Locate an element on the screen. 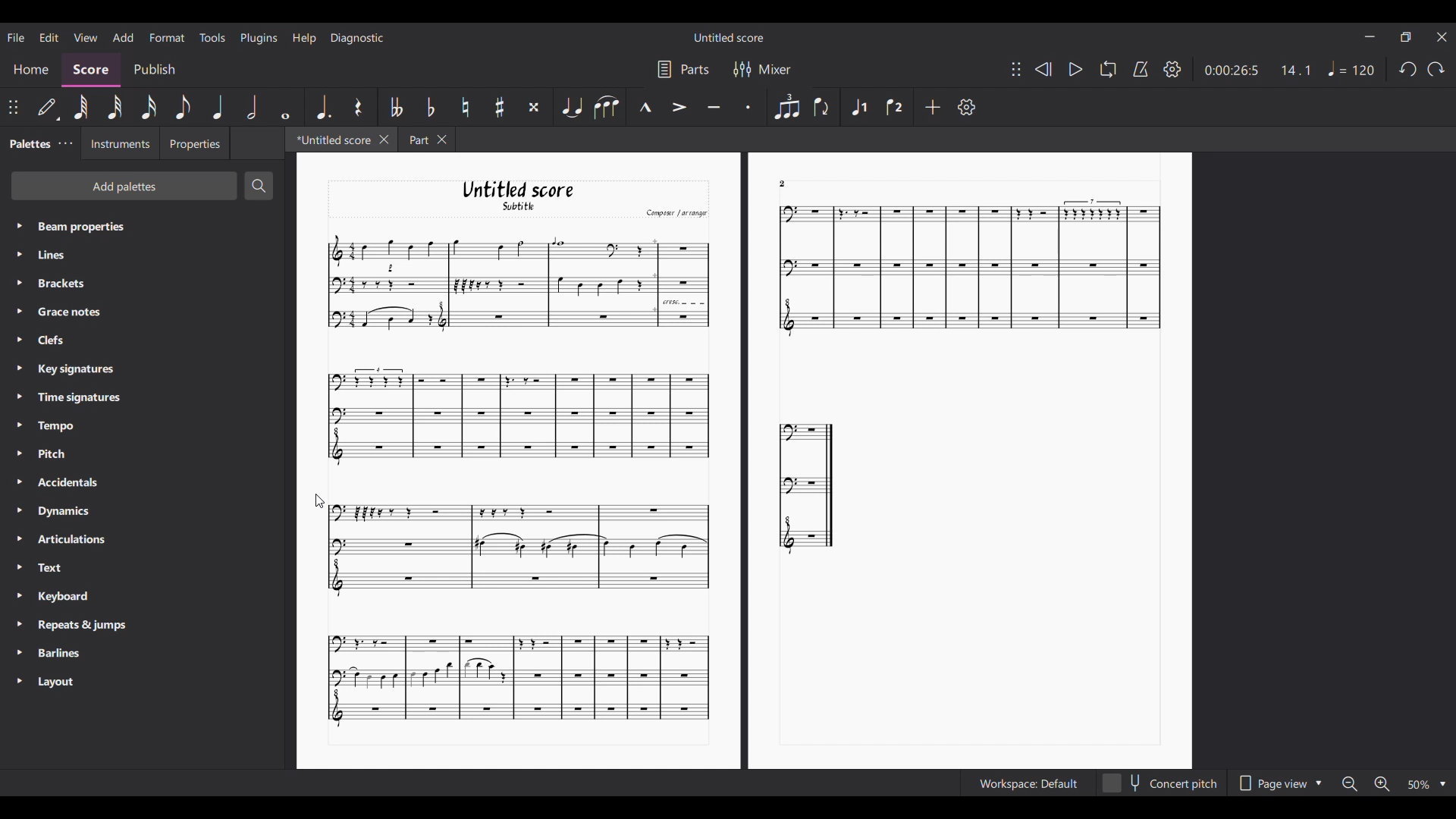  Move toolbar is located at coordinates (1016, 69).